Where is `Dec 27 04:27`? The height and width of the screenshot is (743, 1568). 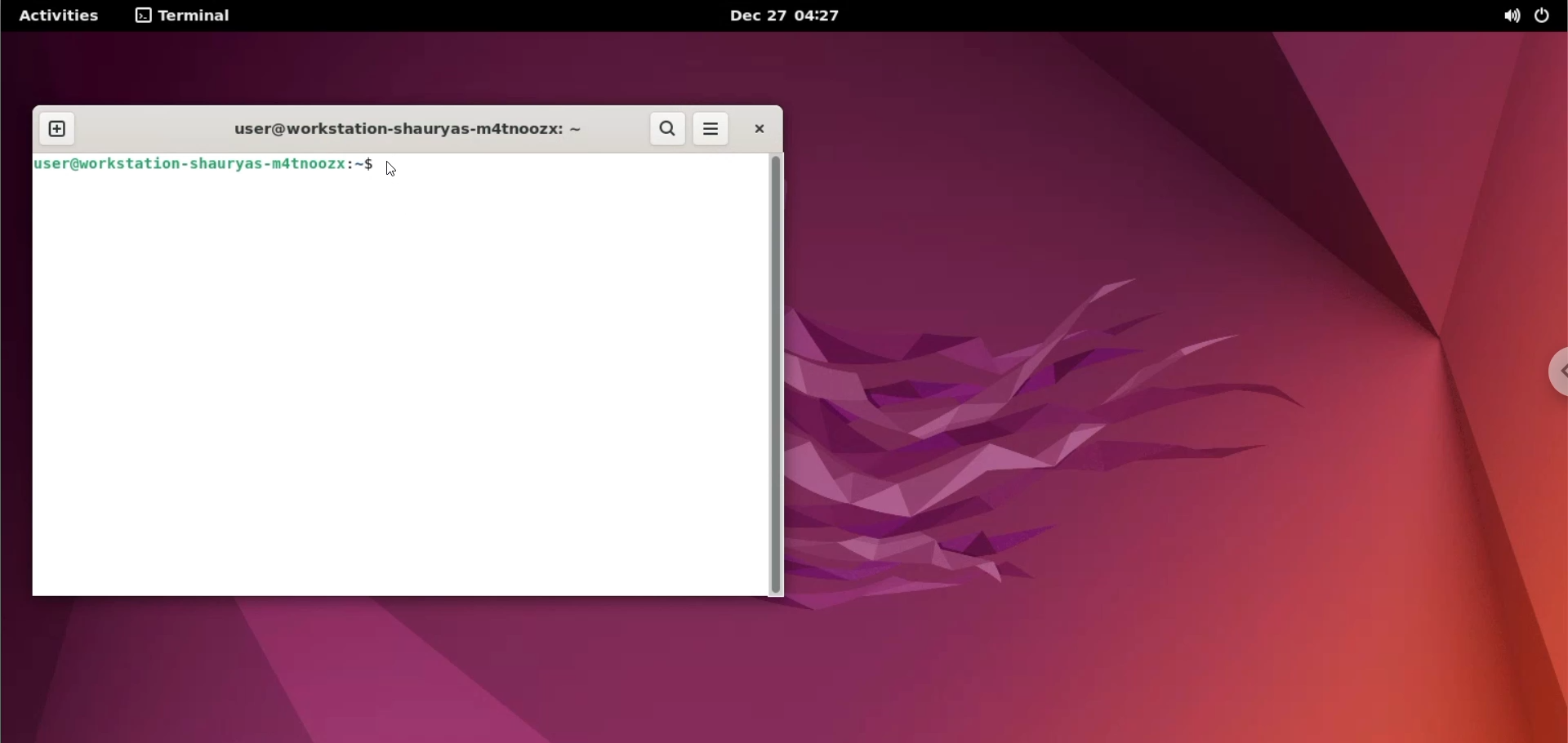 Dec 27 04:27 is located at coordinates (791, 17).